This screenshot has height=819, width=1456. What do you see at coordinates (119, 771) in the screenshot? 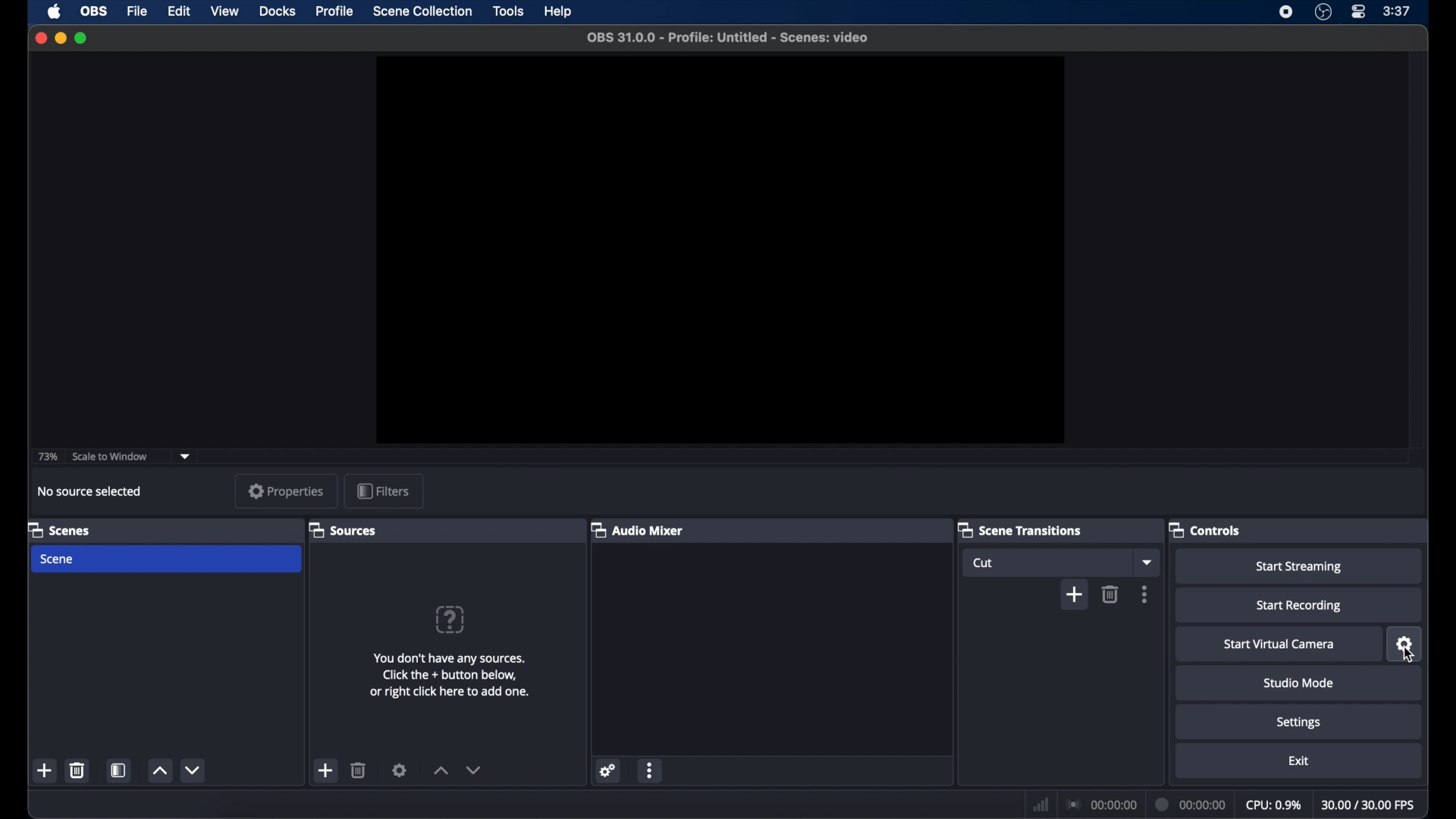
I see `scene filters` at bounding box center [119, 771].